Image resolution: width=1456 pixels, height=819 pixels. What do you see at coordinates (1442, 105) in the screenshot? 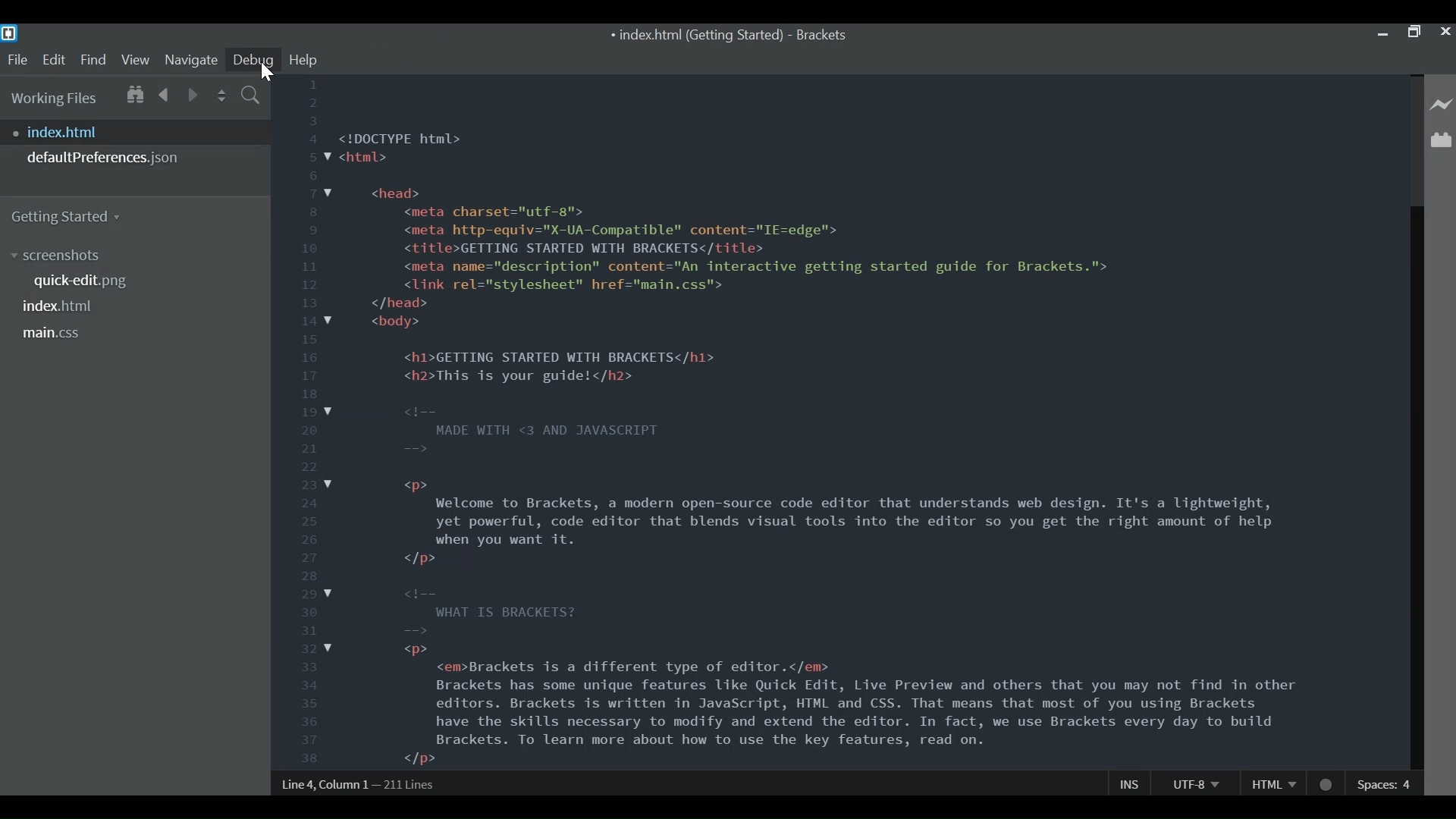
I see `Live Preview` at bounding box center [1442, 105].